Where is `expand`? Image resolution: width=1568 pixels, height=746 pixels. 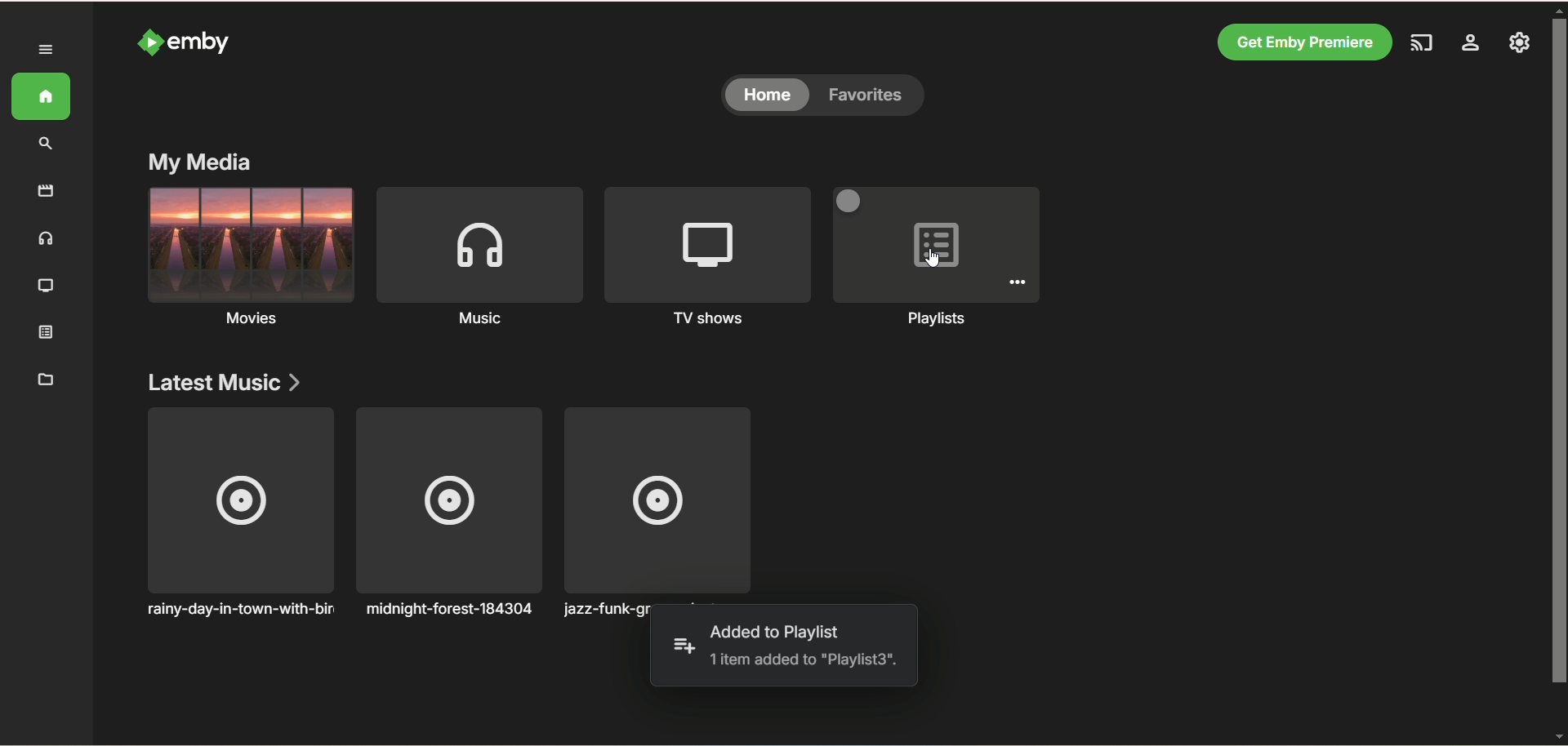 expand is located at coordinates (47, 50).